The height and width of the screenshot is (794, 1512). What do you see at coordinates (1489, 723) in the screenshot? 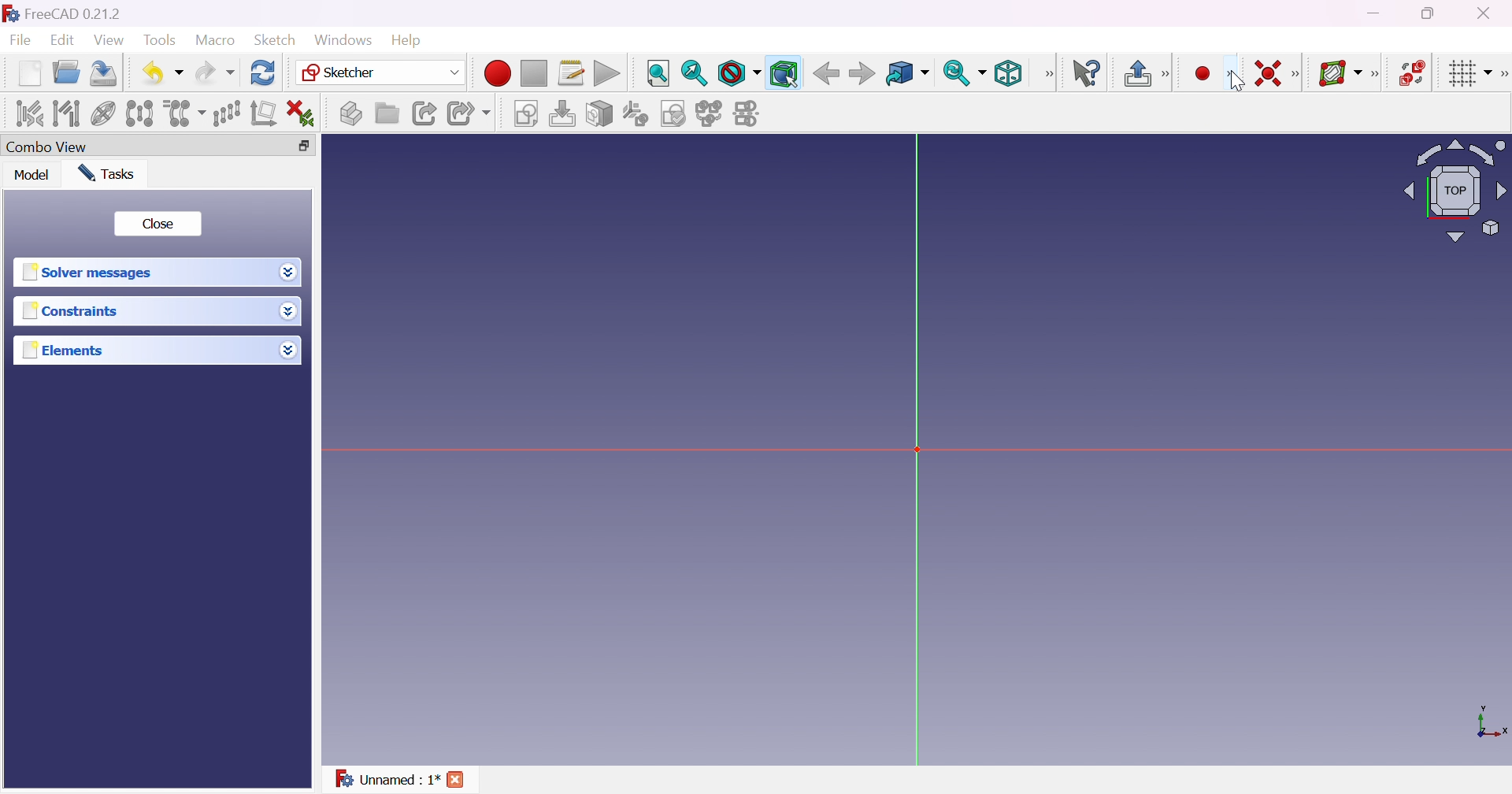
I see `x, y axis` at bounding box center [1489, 723].